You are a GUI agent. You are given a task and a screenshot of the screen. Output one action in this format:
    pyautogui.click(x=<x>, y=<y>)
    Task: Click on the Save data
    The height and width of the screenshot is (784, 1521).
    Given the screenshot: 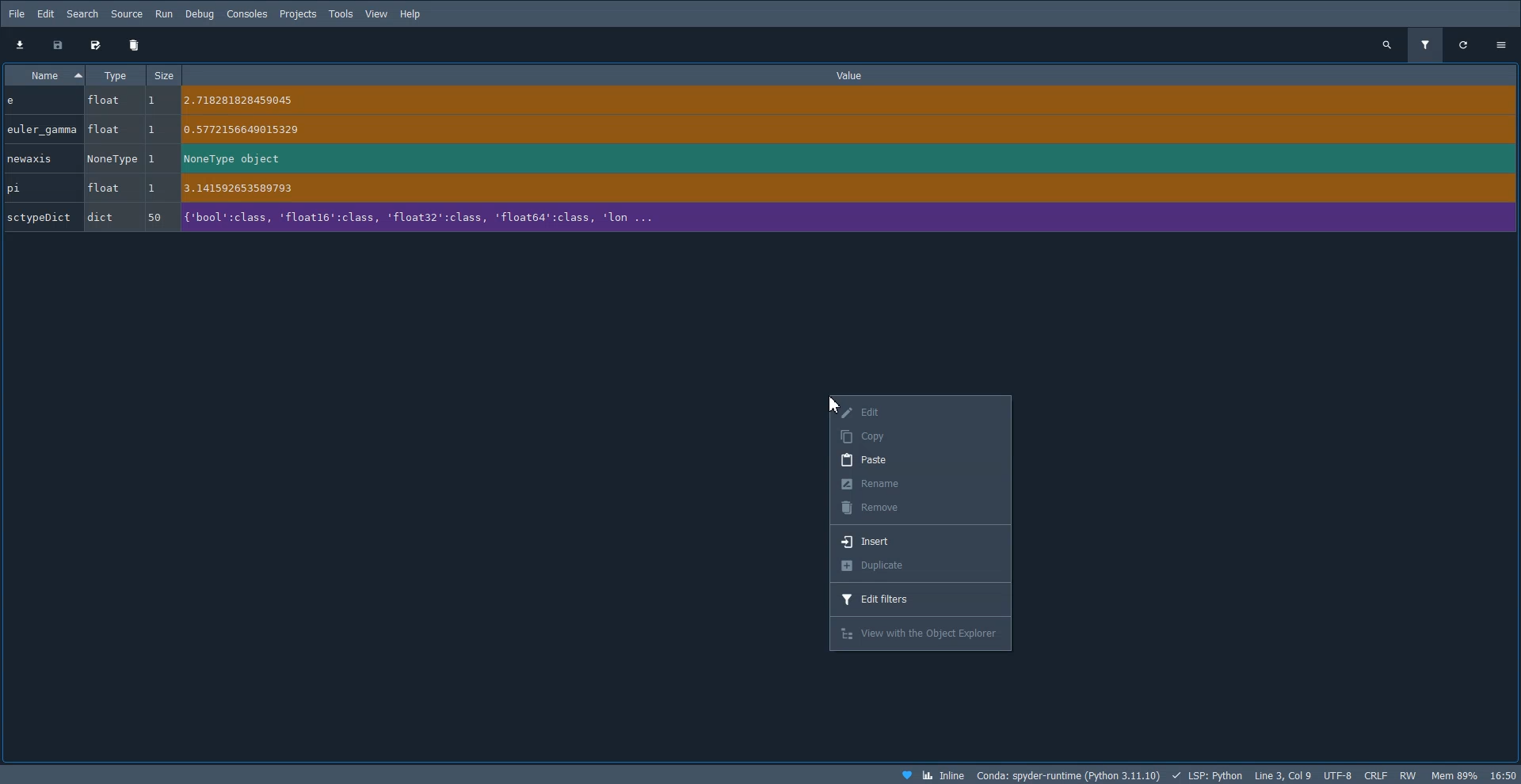 What is the action you would take?
    pyautogui.click(x=59, y=45)
    